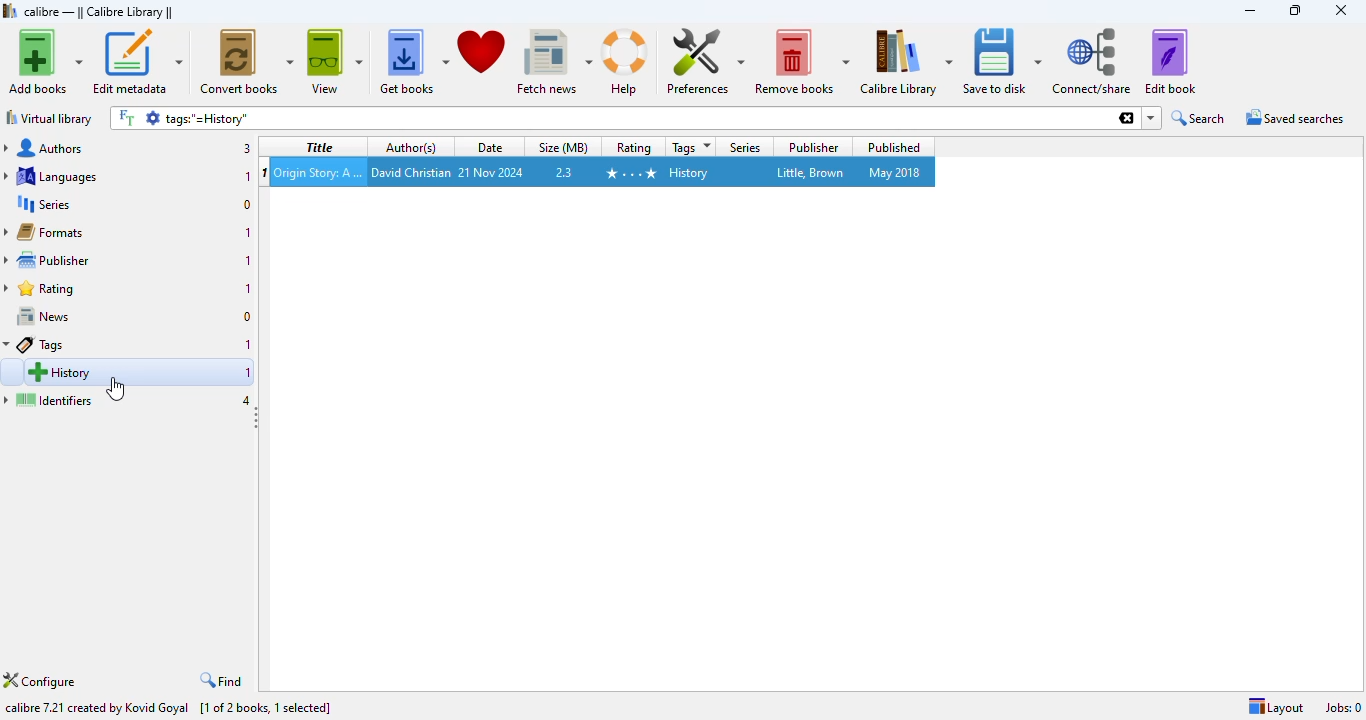  Describe the element at coordinates (61, 373) in the screenshot. I see `history` at that location.